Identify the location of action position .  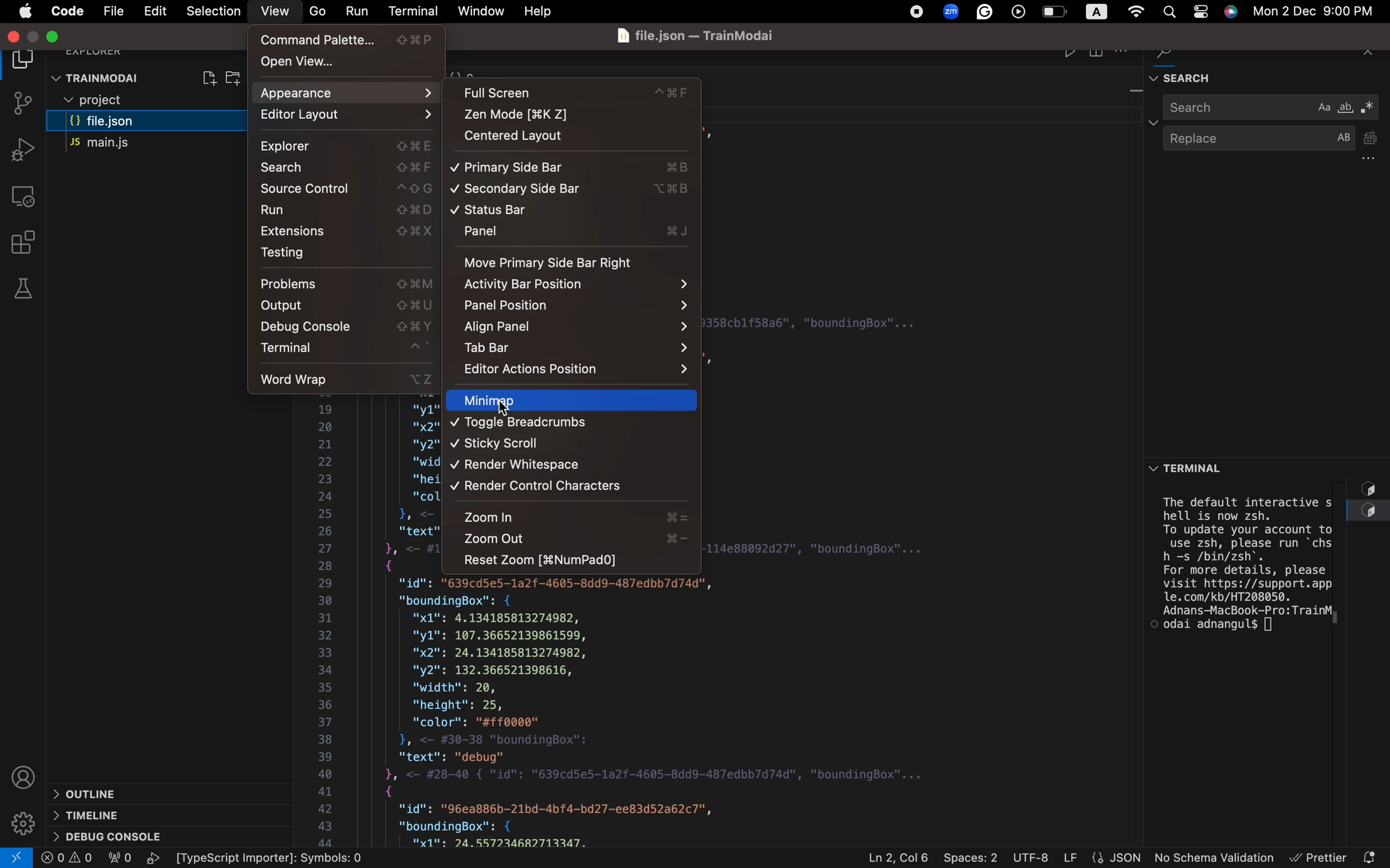
(573, 370).